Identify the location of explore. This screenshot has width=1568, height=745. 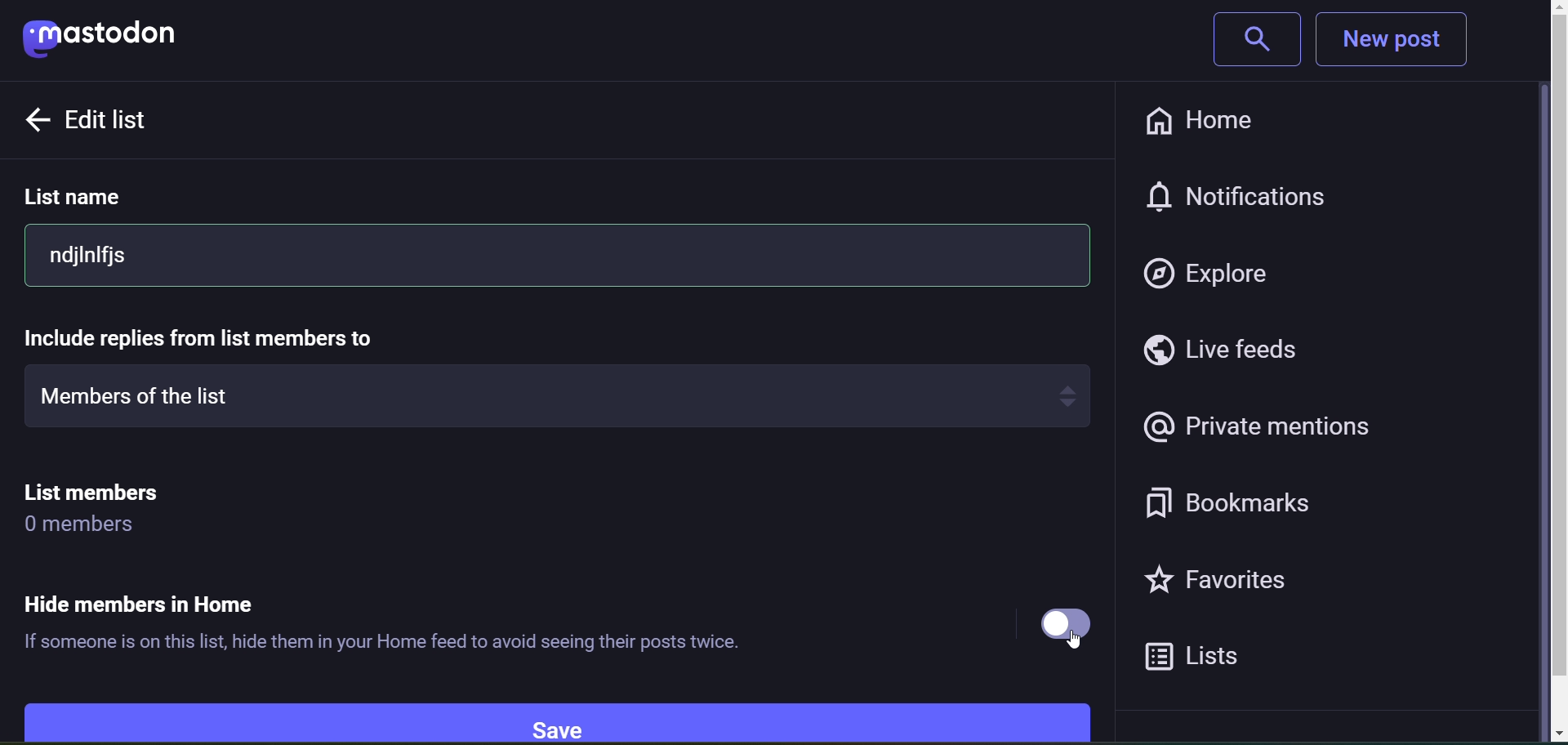
(1214, 273).